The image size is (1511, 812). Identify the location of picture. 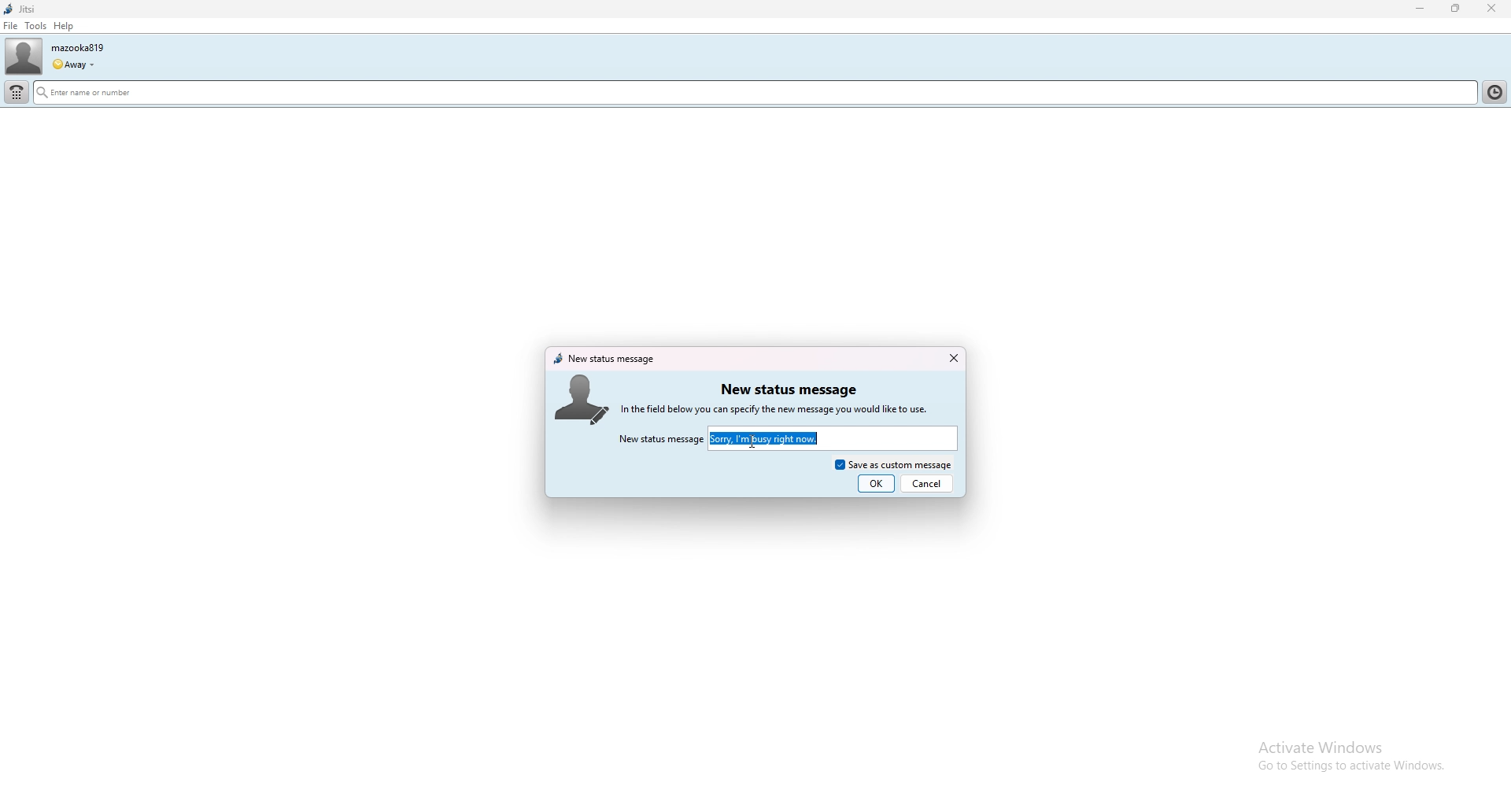
(581, 398).